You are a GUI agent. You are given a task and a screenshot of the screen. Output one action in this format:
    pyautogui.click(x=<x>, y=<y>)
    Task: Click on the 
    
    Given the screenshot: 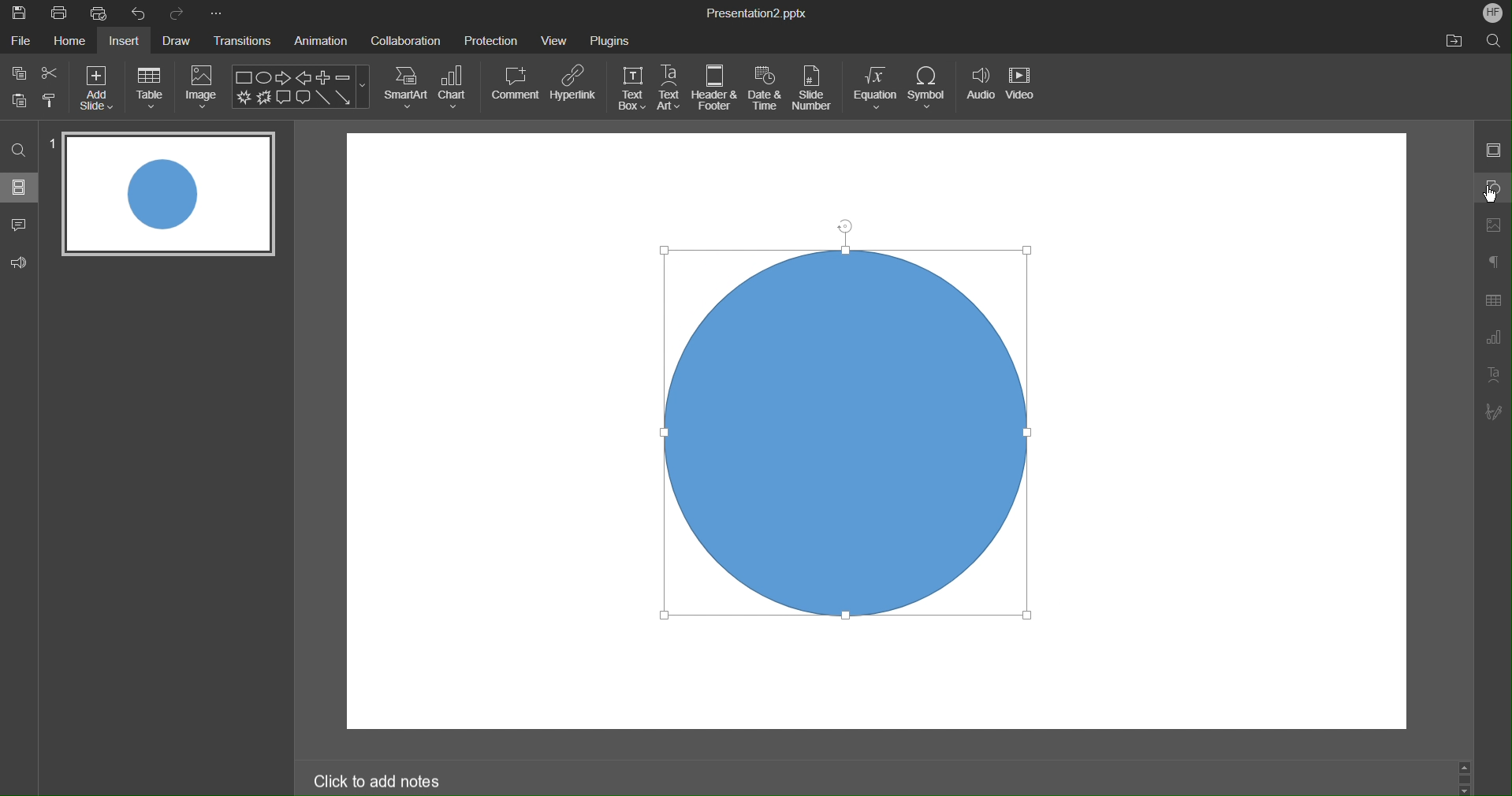 What is the action you would take?
    pyautogui.click(x=20, y=99)
    